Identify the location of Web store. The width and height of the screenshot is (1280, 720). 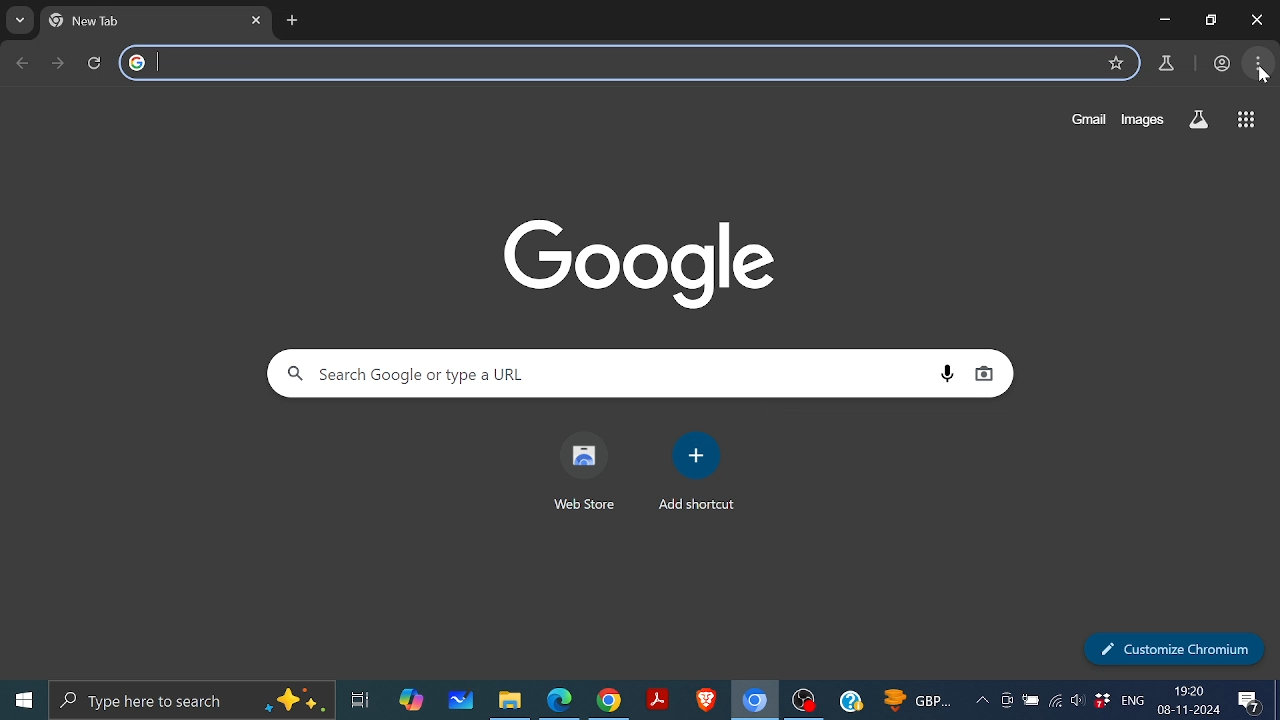
(584, 479).